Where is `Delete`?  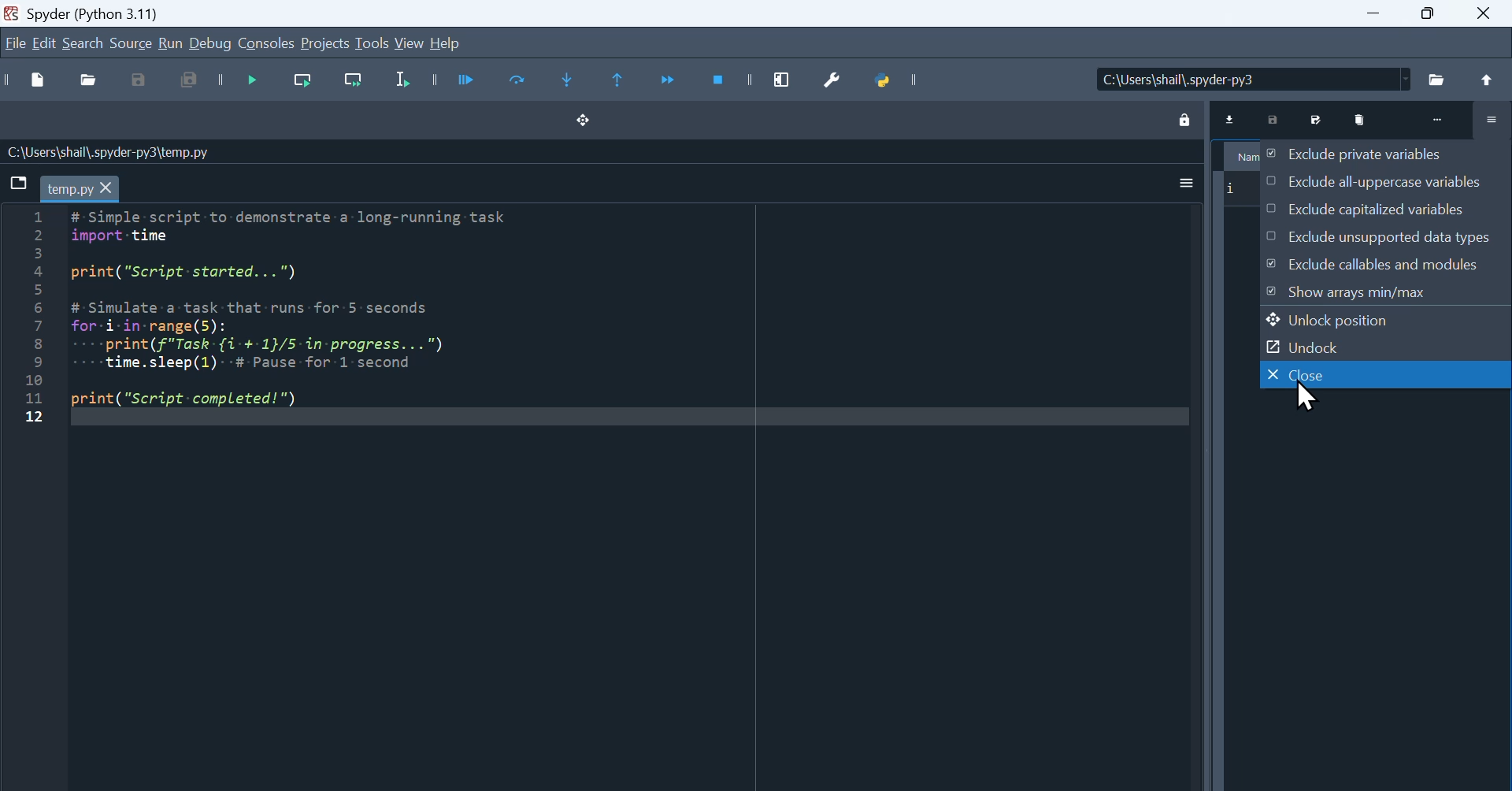
Delete is located at coordinates (1362, 118).